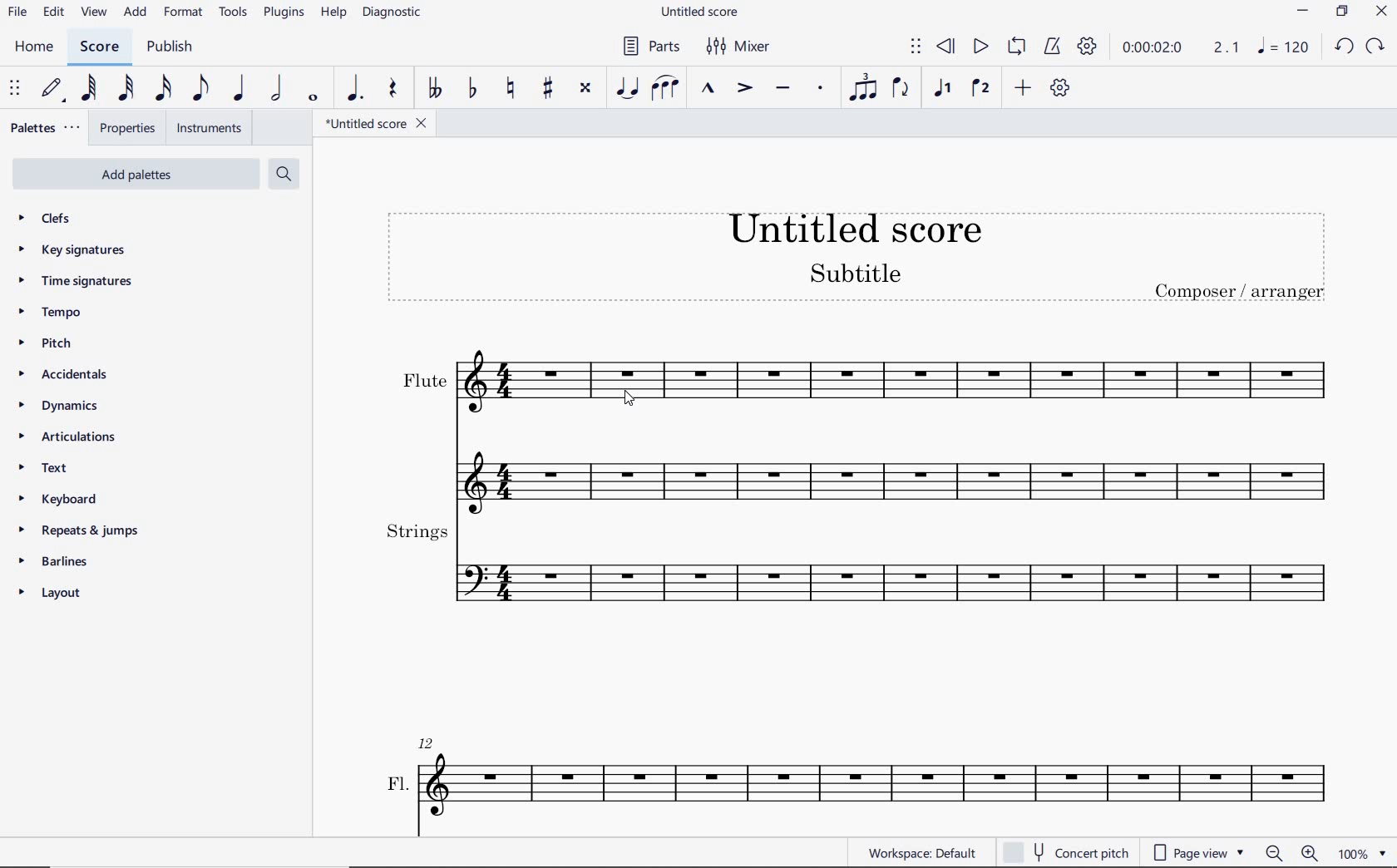 Image resolution: width=1397 pixels, height=868 pixels. I want to click on 64TH NOTE, so click(90, 88).